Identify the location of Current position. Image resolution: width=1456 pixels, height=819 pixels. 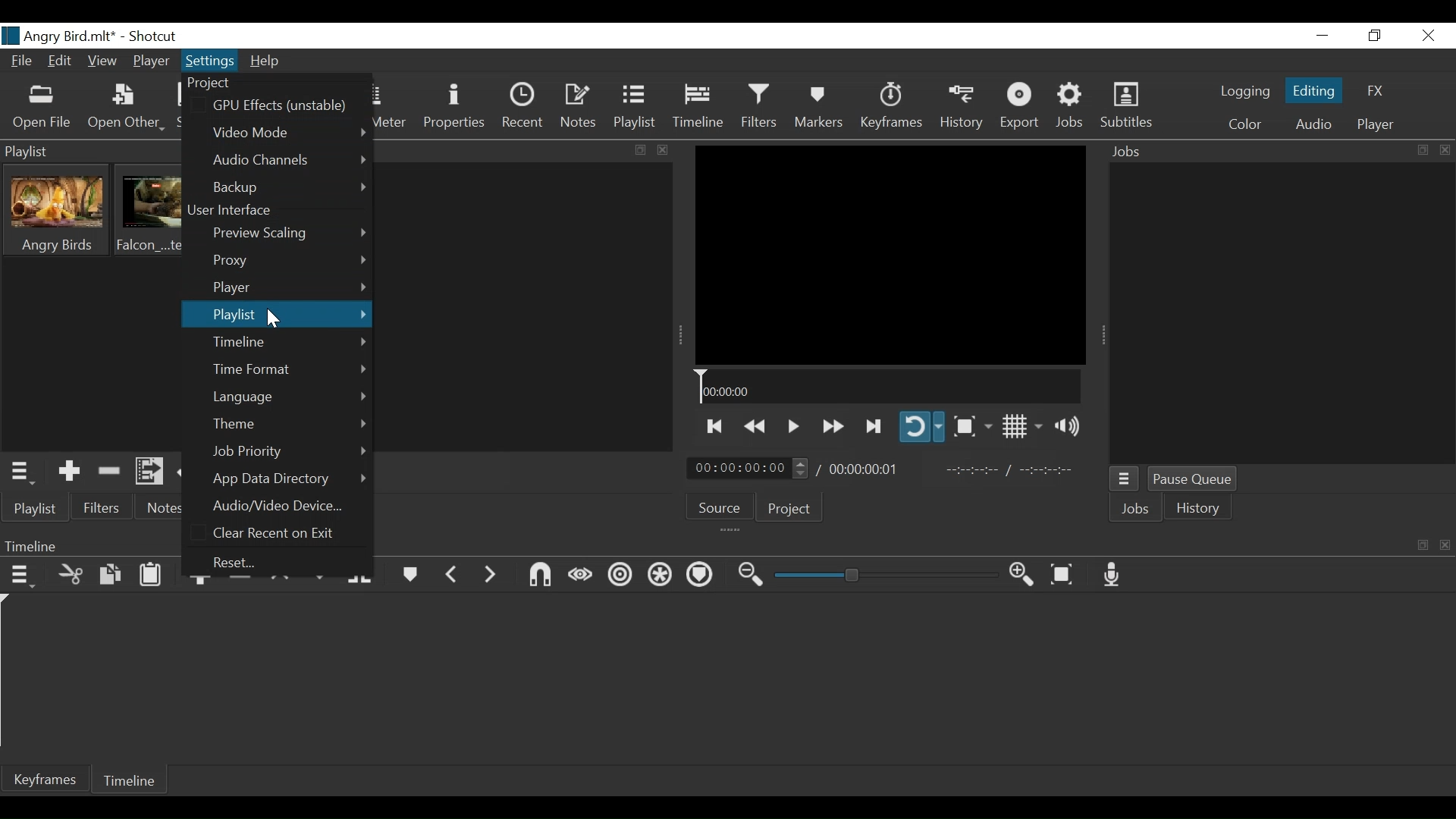
(748, 469).